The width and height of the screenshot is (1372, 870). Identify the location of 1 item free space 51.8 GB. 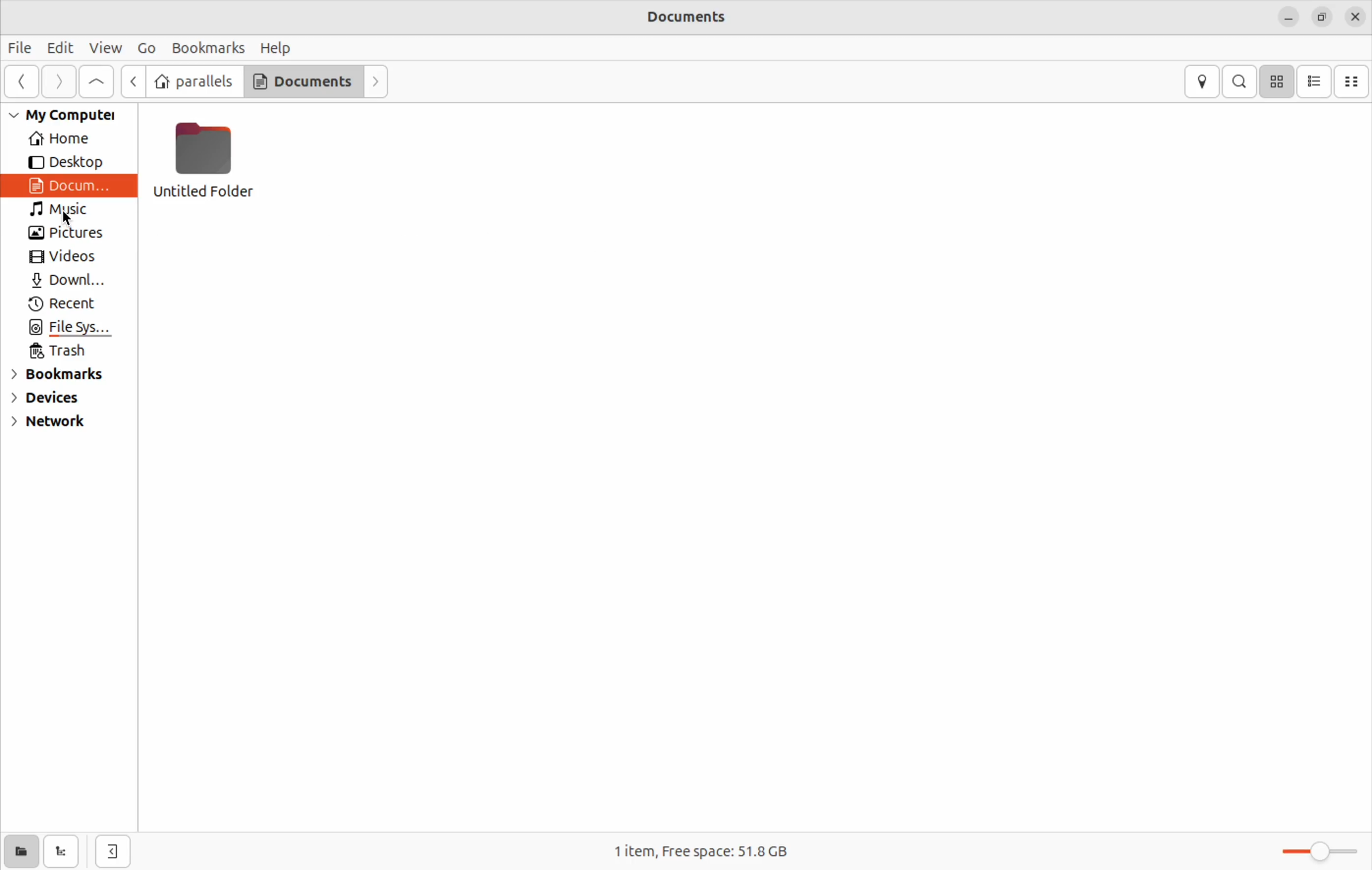
(706, 847).